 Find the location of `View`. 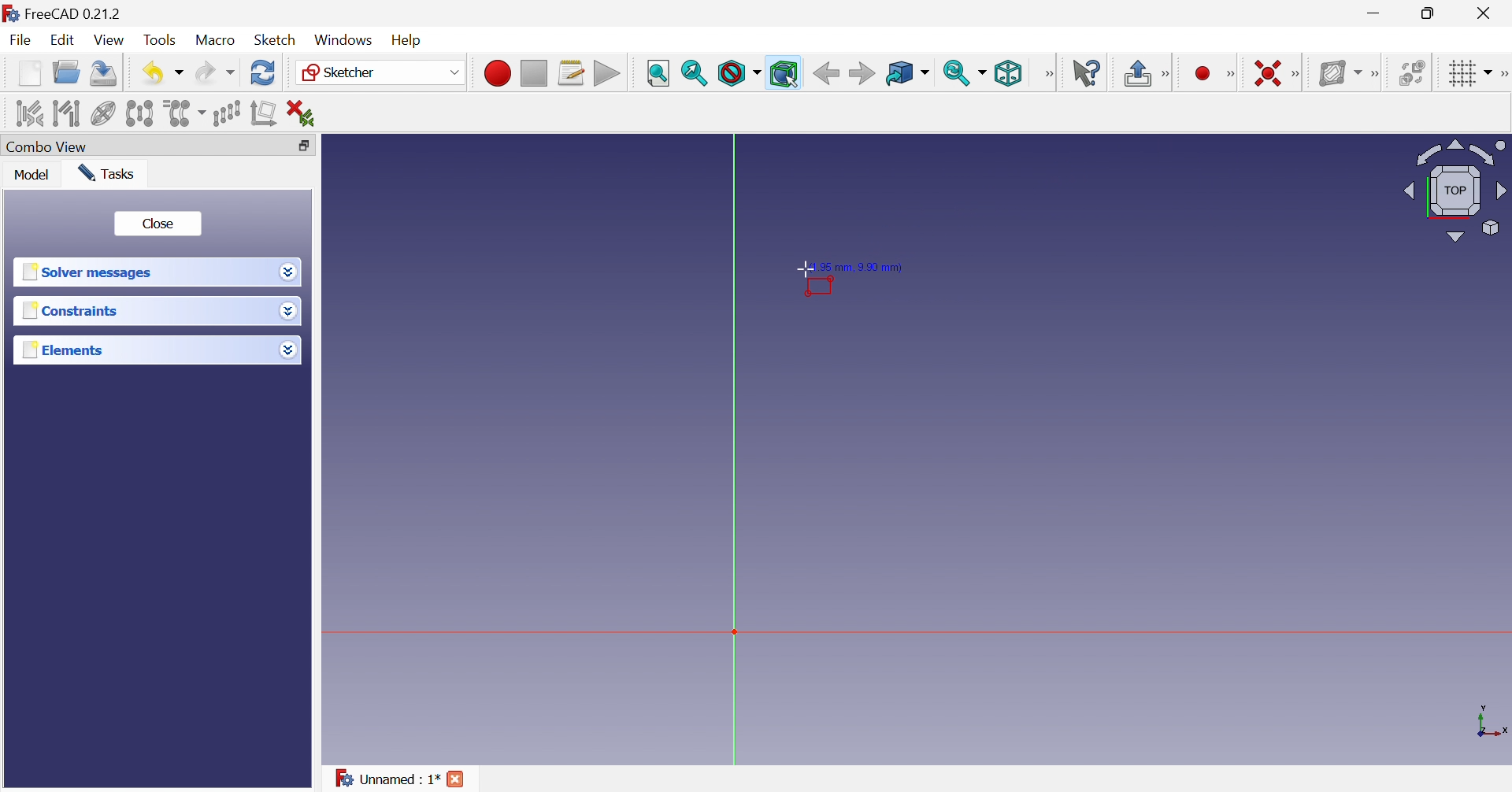

View is located at coordinates (1050, 73).